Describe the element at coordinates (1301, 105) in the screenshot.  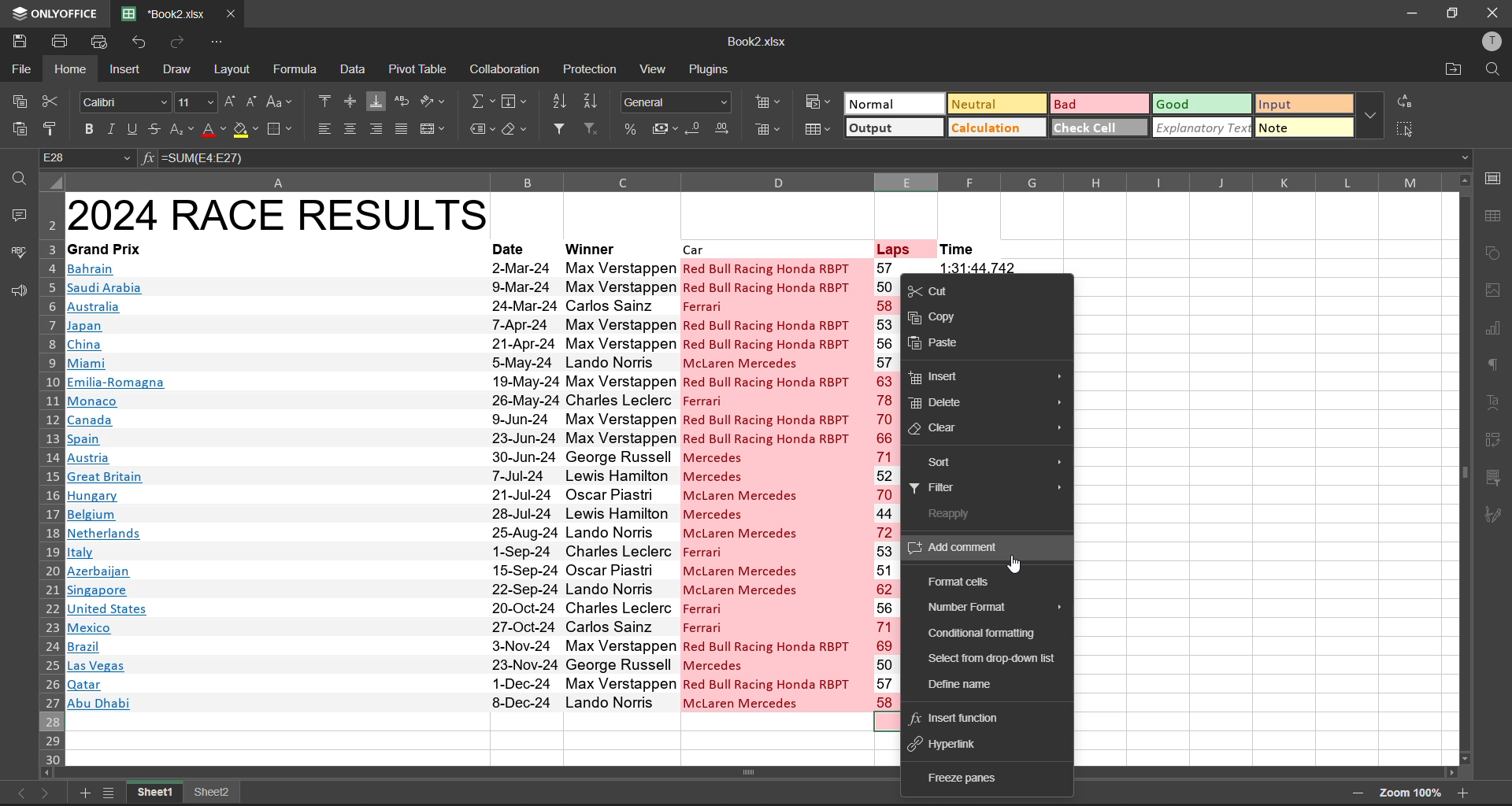
I see `input` at that location.